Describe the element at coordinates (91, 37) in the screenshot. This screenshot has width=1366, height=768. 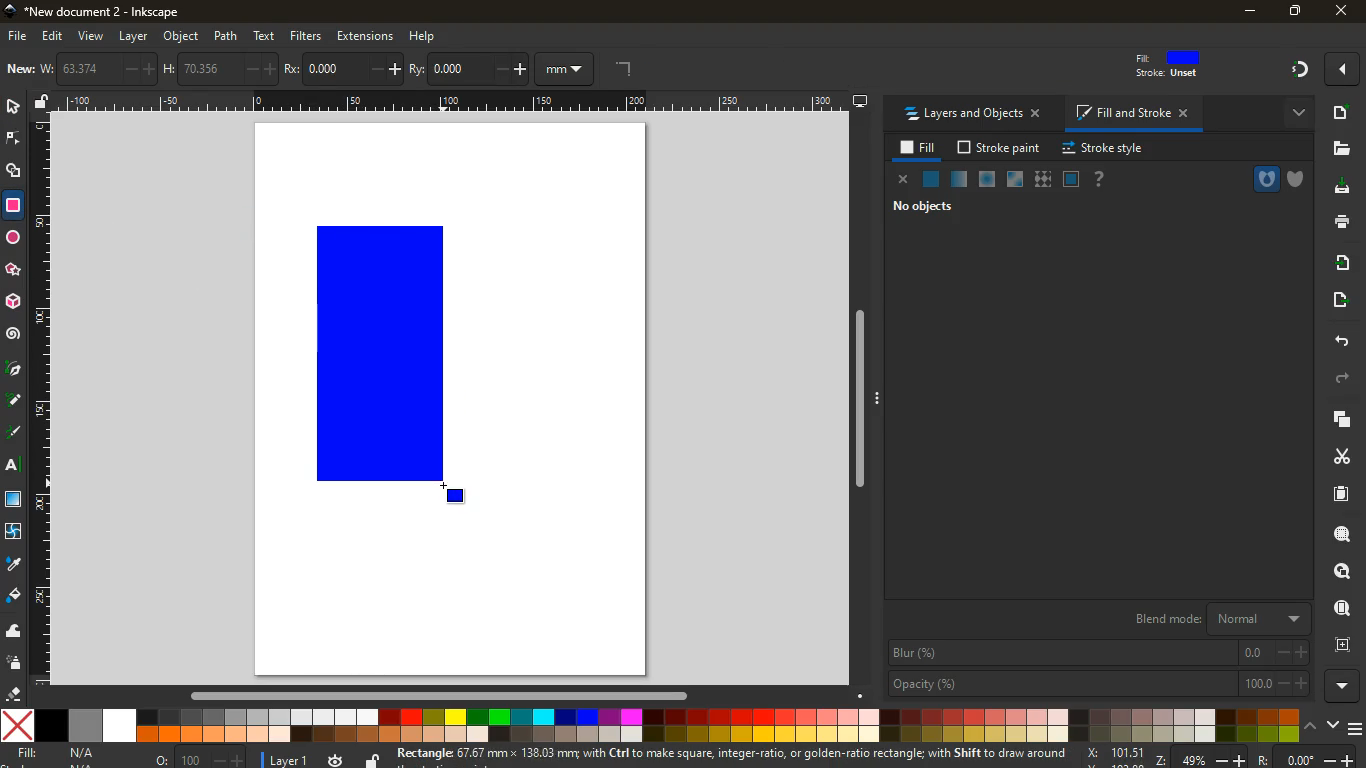
I see `view` at that location.